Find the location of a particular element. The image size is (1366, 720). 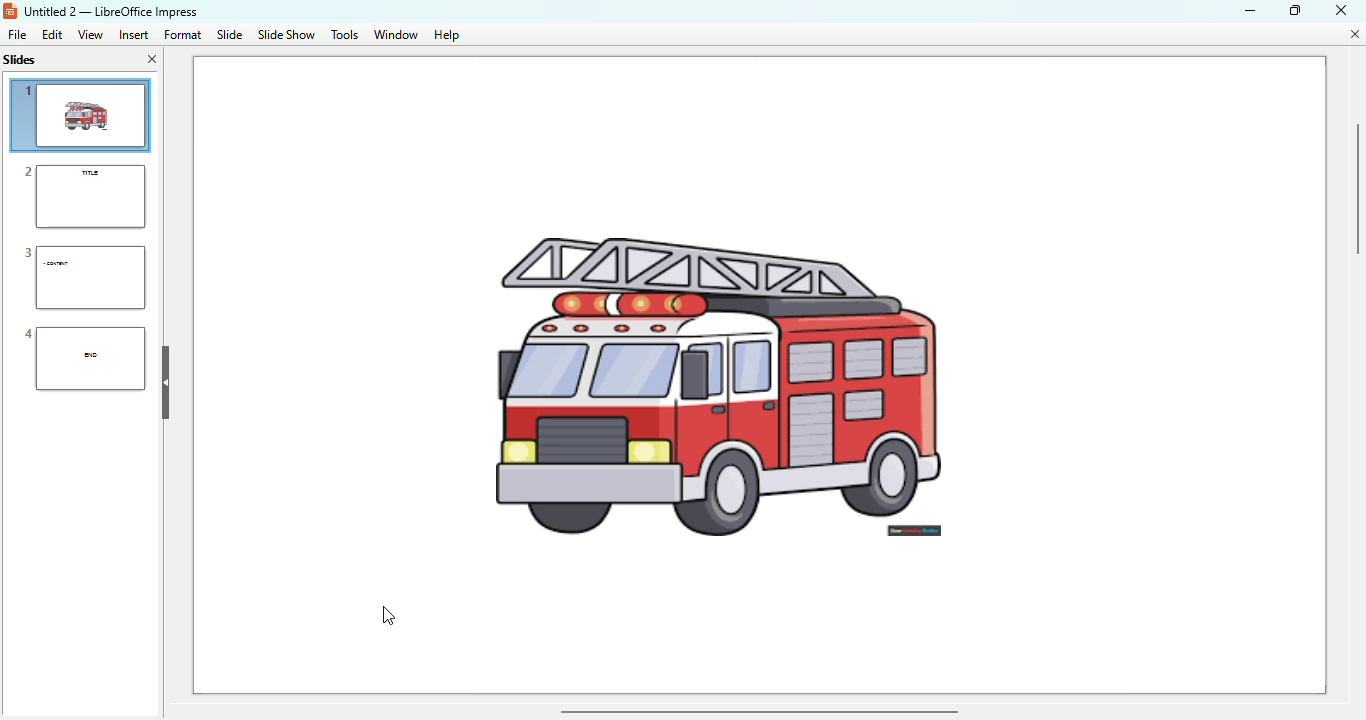

minimize is located at coordinates (1249, 10).